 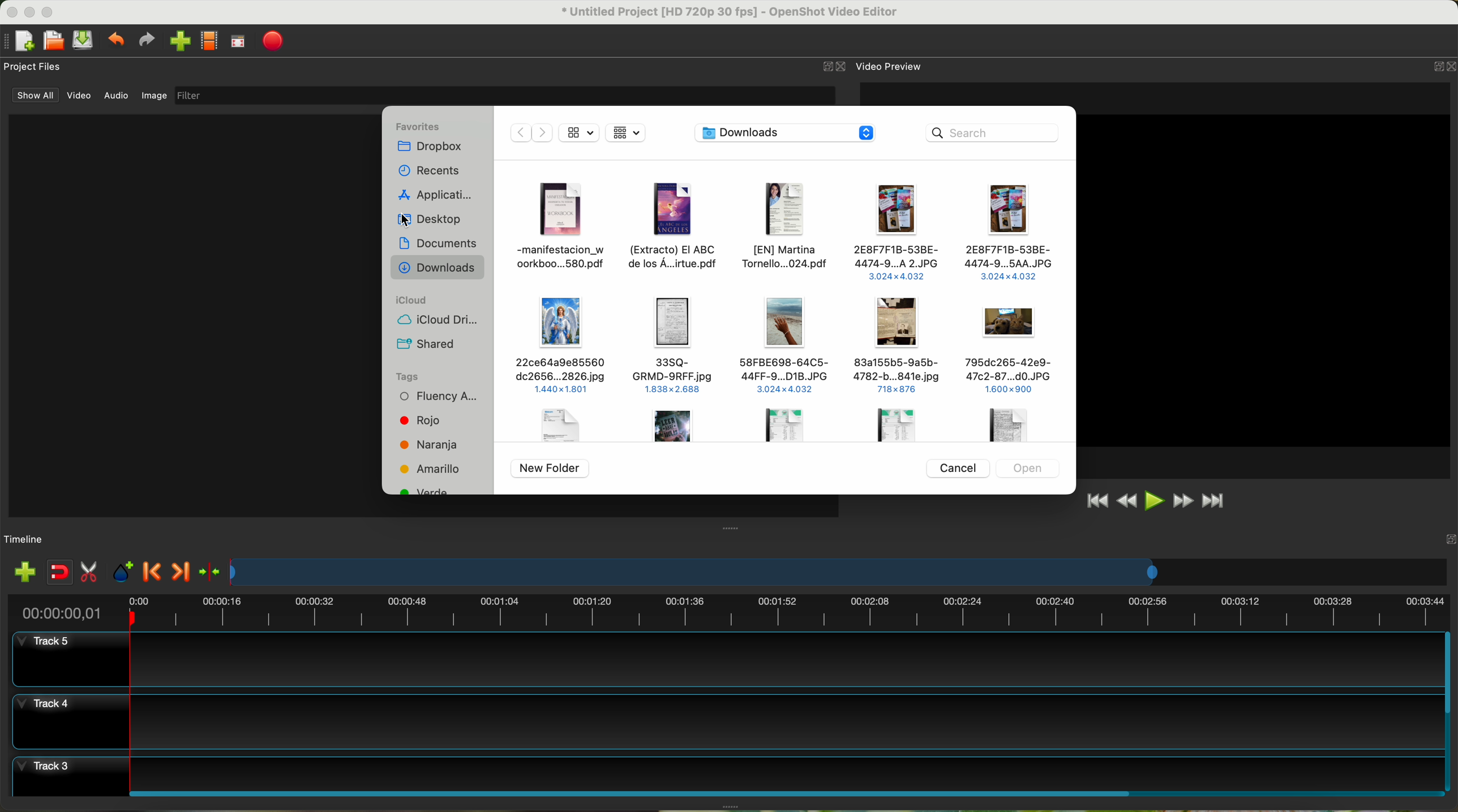 What do you see at coordinates (1449, 711) in the screenshot?
I see `scroll bar` at bounding box center [1449, 711].